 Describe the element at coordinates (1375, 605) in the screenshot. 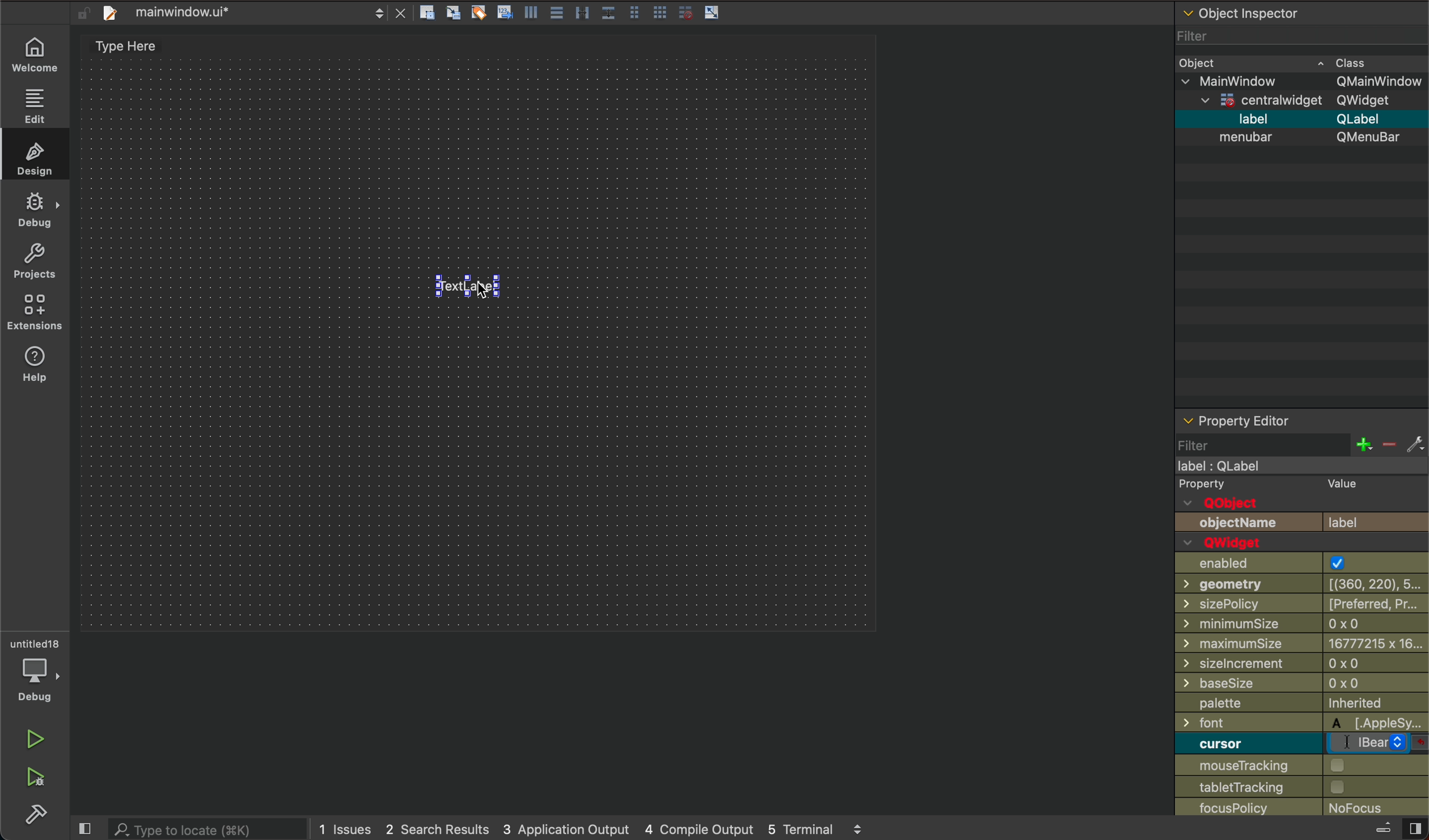

I see `[preferres, pr...` at that location.